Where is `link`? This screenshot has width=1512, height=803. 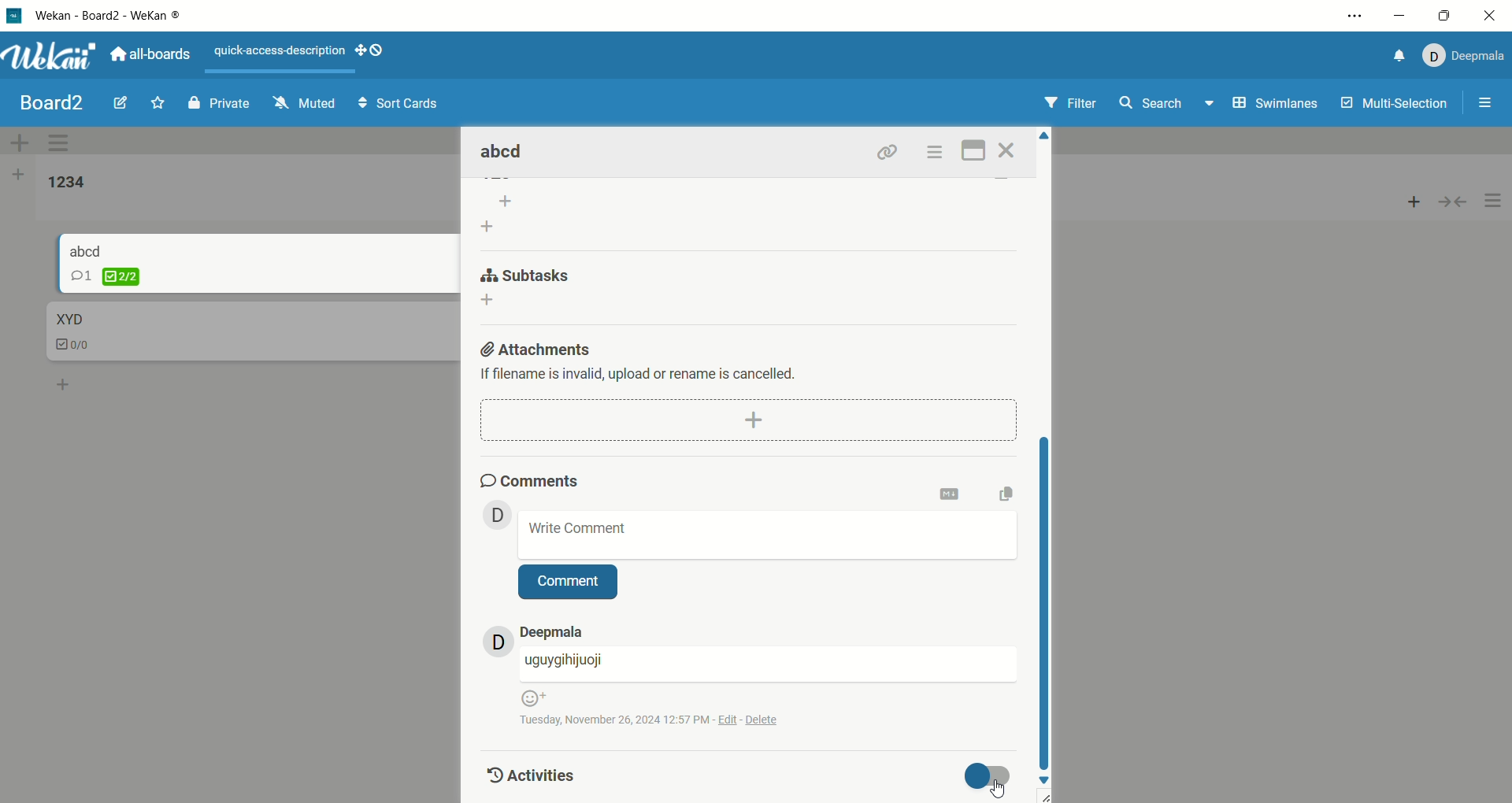 link is located at coordinates (888, 151).